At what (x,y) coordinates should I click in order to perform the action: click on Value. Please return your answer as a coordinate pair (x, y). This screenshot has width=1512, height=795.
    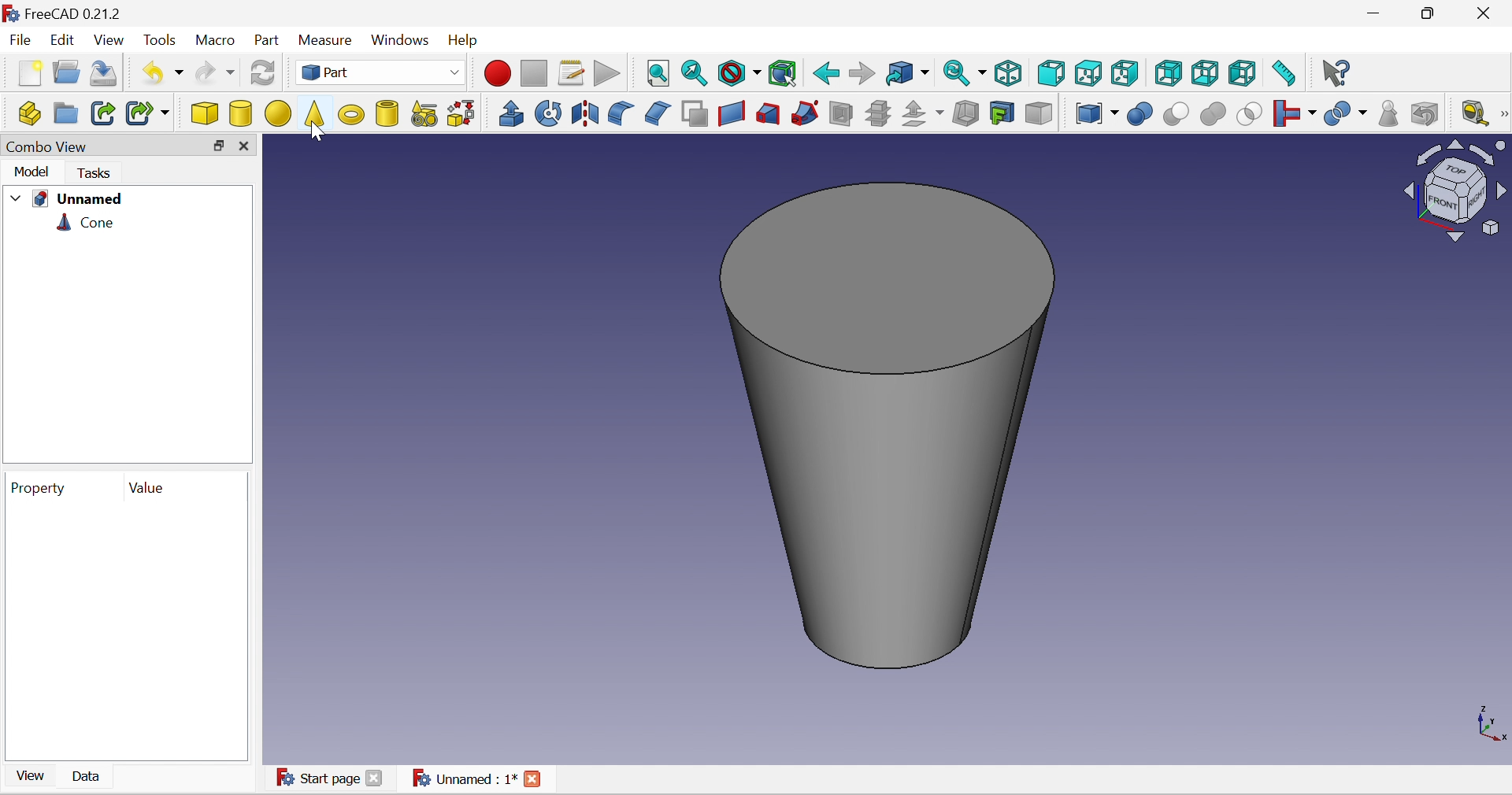
    Looking at the image, I should click on (145, 489).